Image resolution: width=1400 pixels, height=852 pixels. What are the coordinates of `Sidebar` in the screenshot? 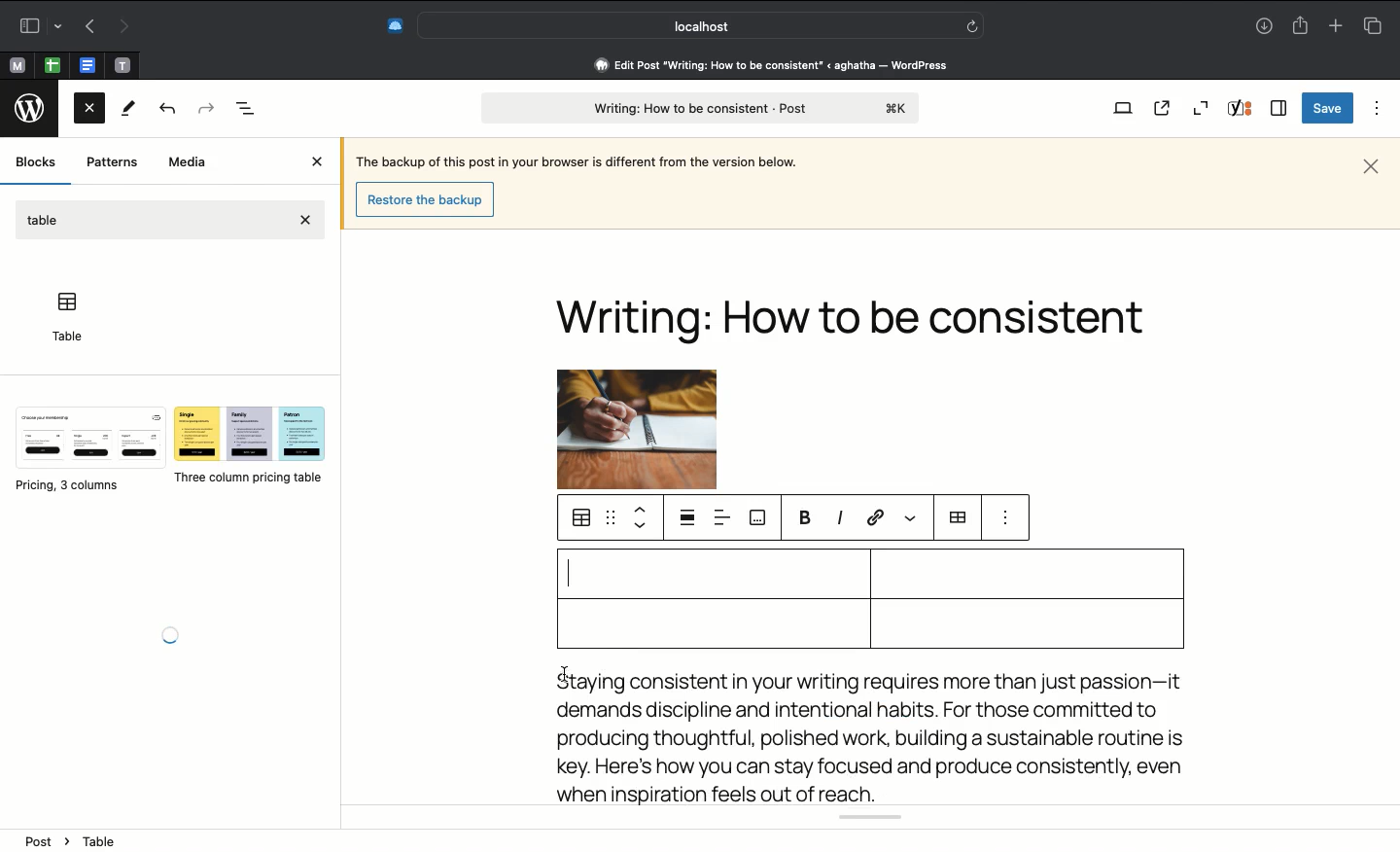 It's located at (1279, 107).